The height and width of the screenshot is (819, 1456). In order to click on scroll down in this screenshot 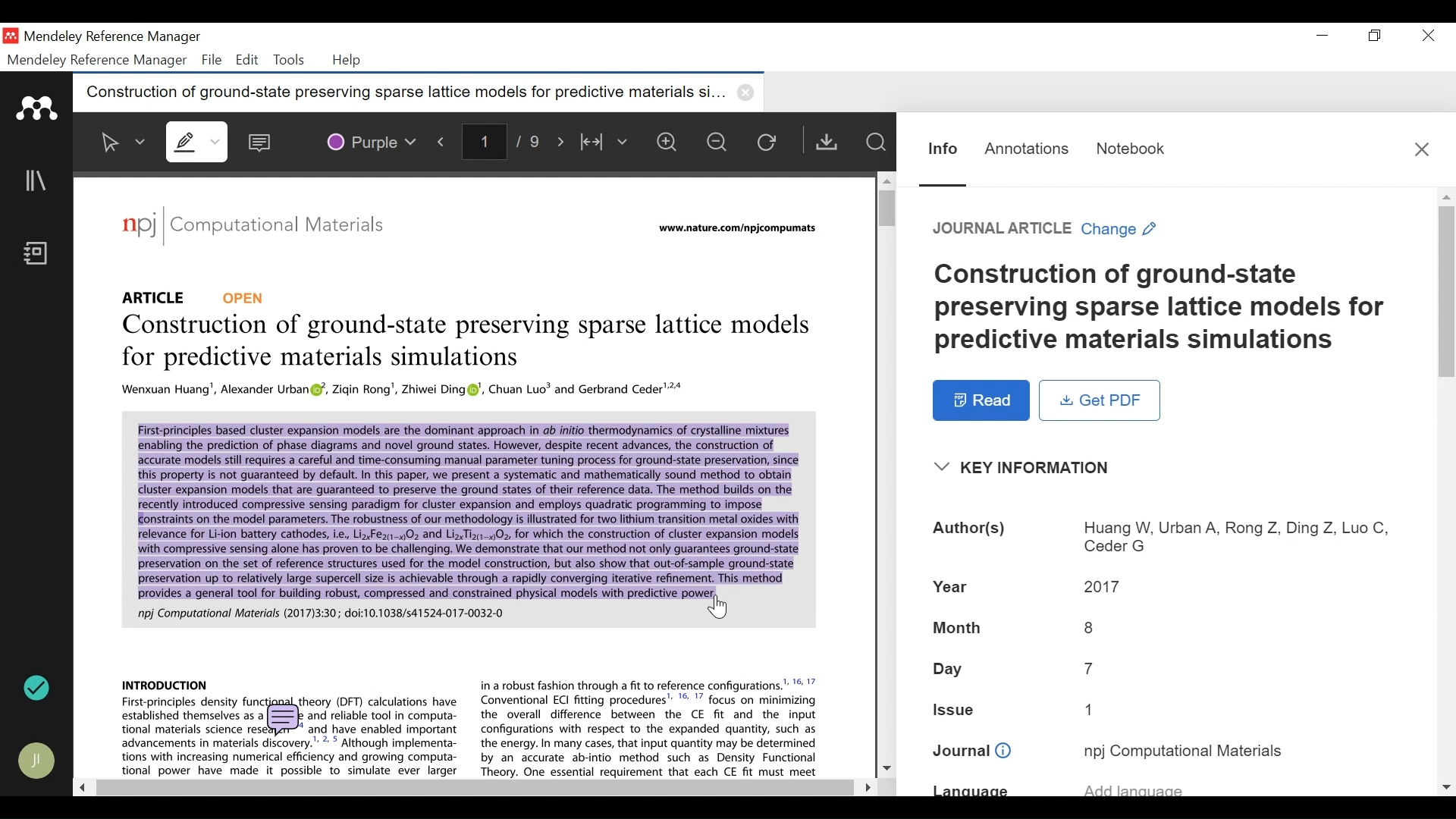, I will do `click(1446, 787)`.